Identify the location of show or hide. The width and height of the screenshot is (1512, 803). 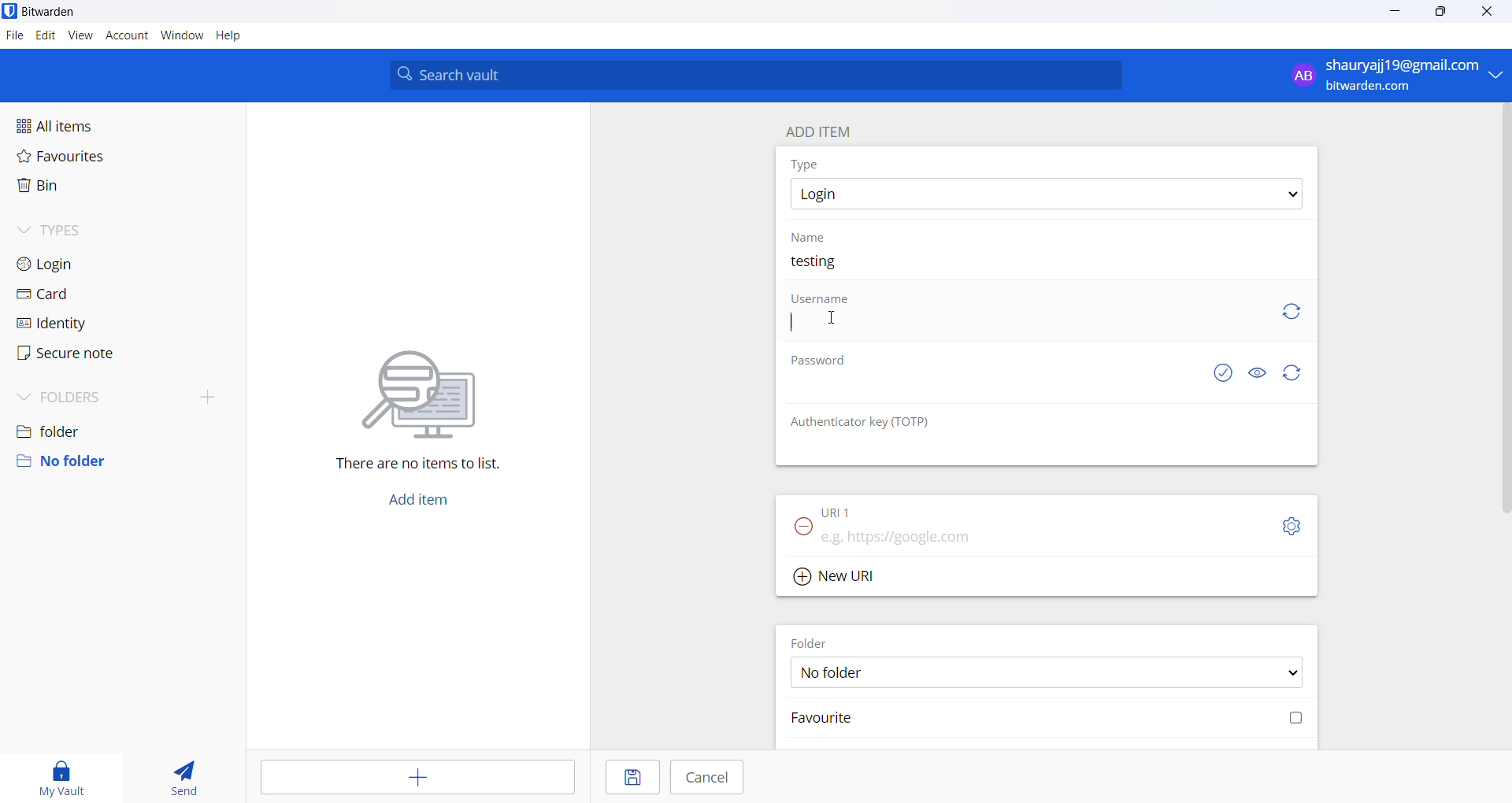
(1261, 370).